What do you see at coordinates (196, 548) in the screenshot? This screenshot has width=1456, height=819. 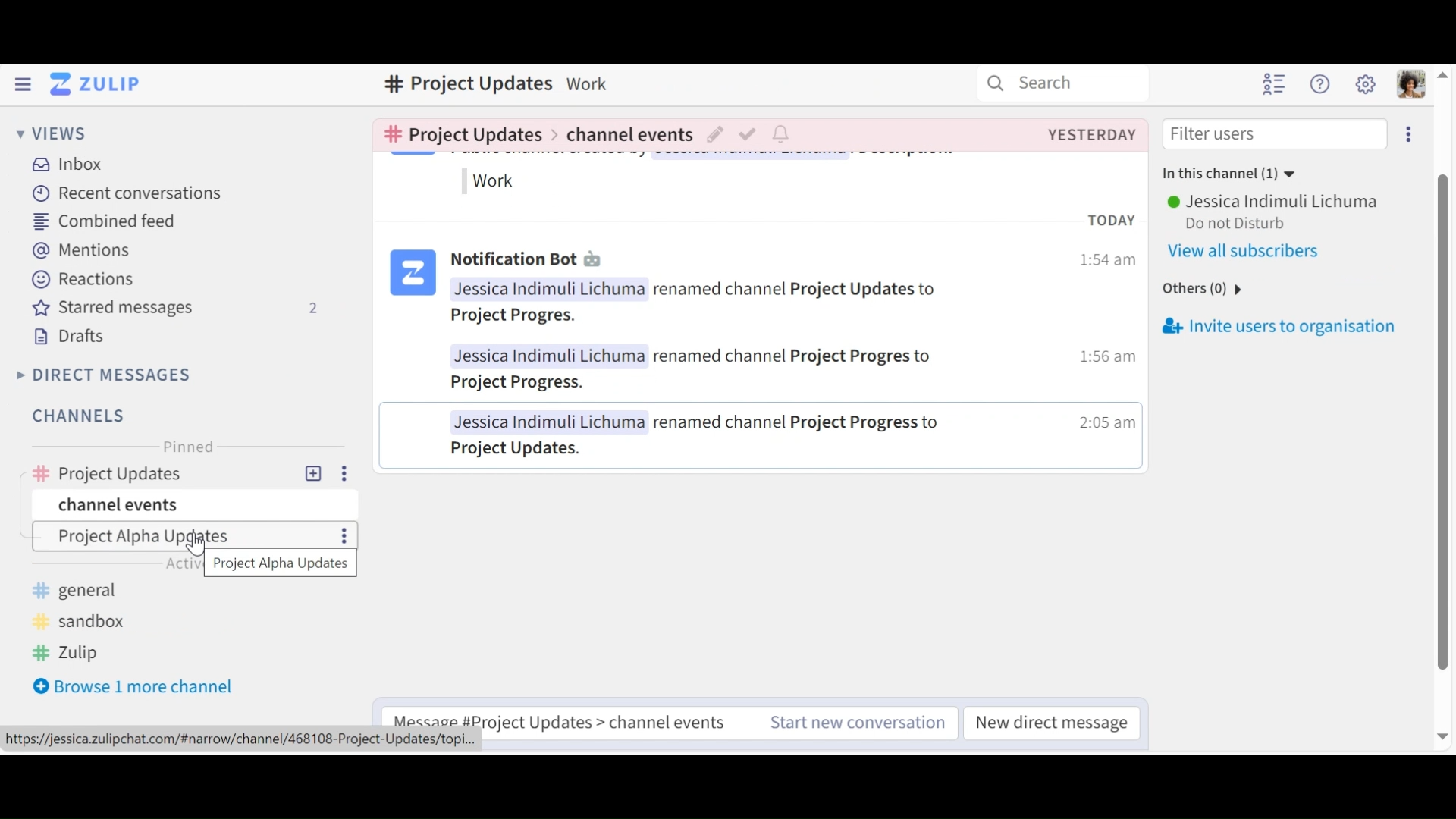 I see `cursor` at bounding box center [196, 548].